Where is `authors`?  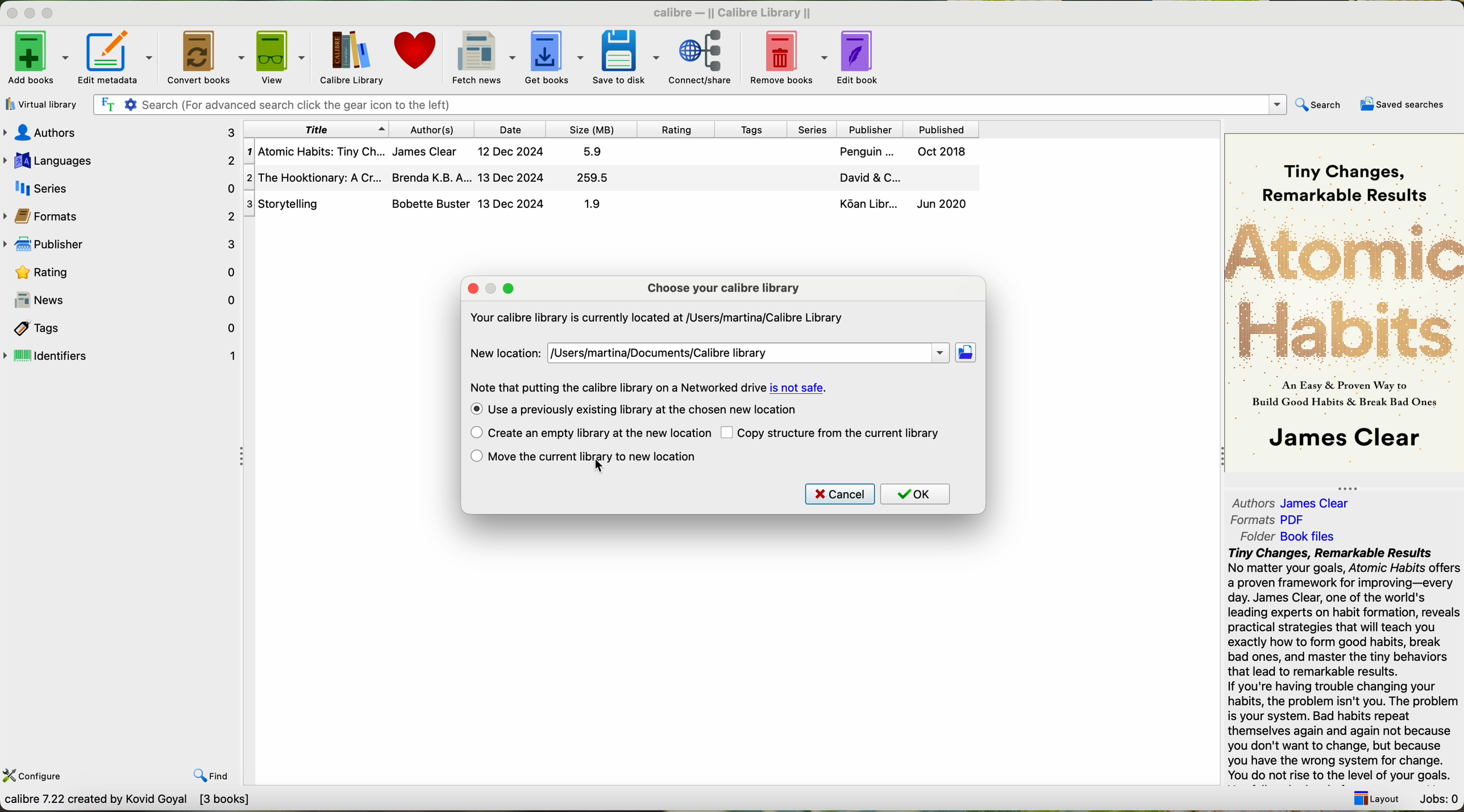
authors is located at coordinates (119, 131).